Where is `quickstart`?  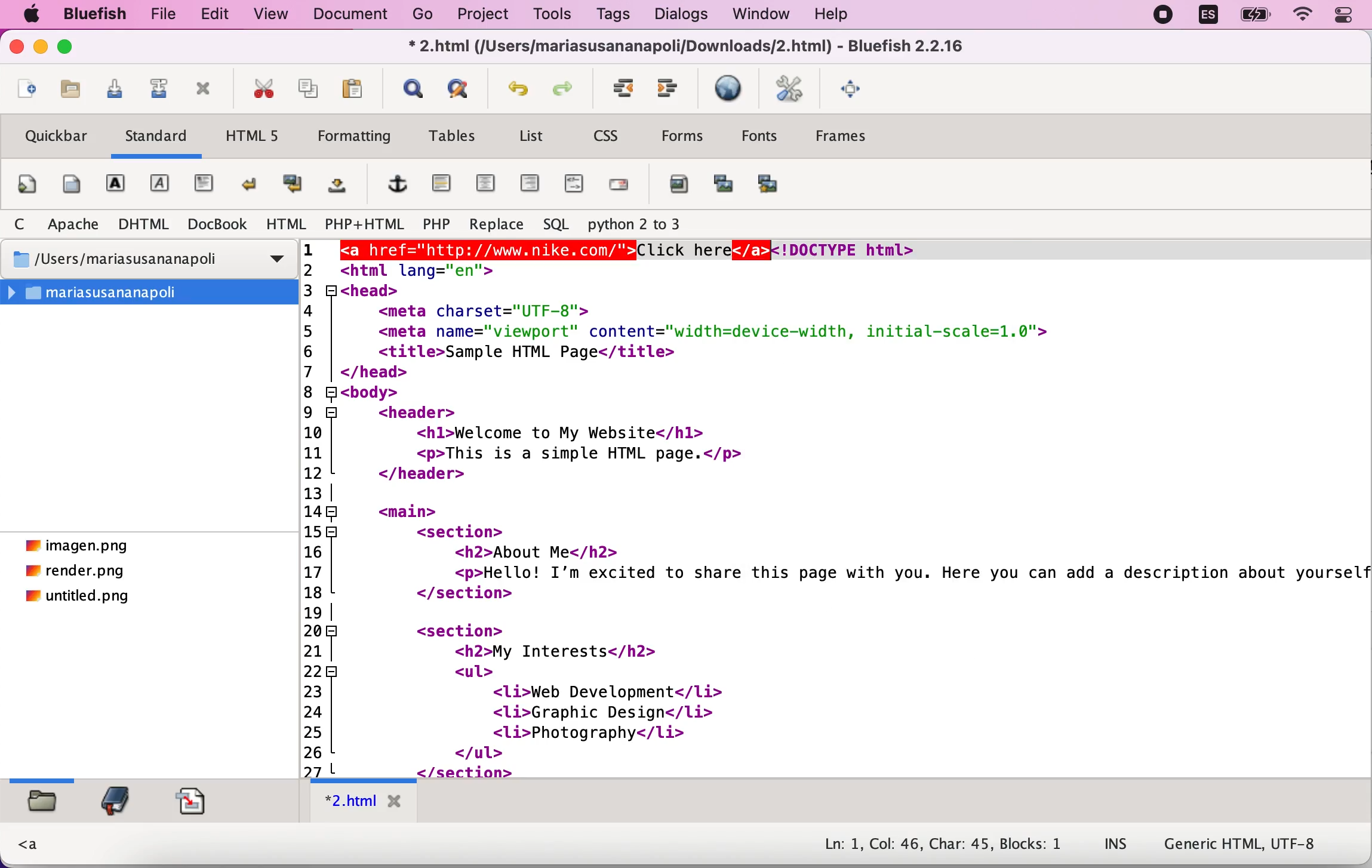
quickstart is located at coordinates (27, 184).